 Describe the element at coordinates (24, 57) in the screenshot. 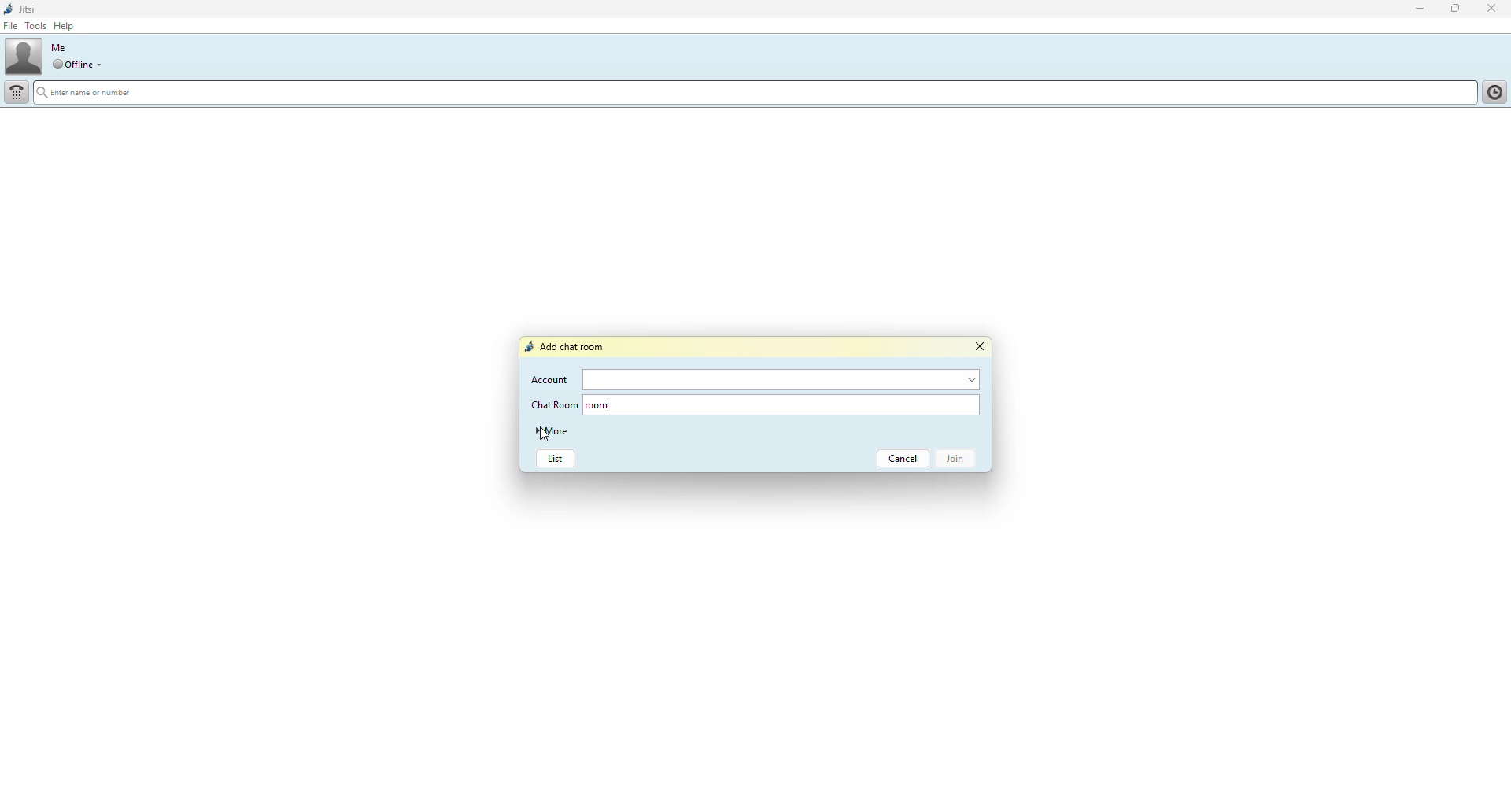

I see `profile` at that location.